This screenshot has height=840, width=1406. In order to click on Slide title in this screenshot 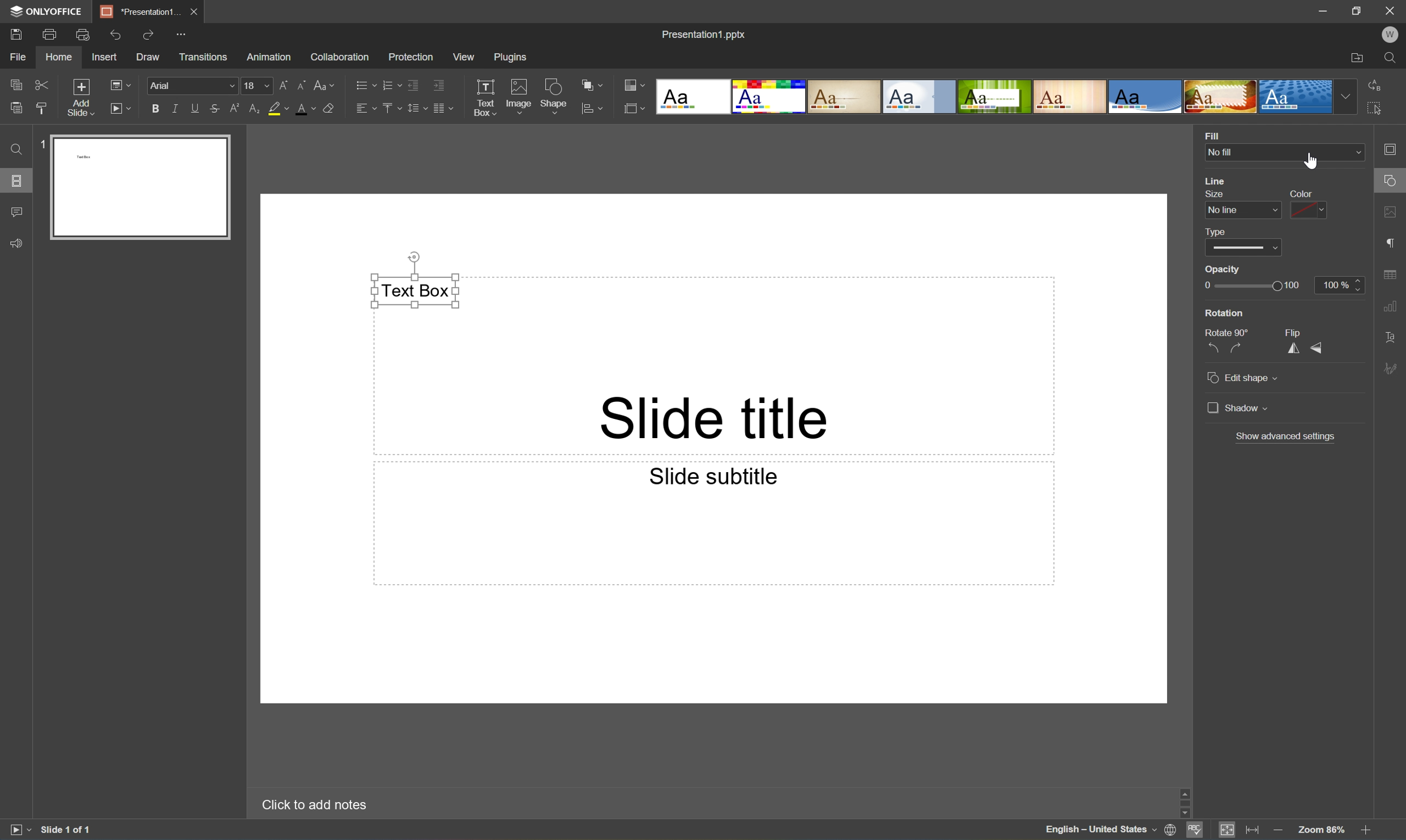, I will do `click(718, 419)`.